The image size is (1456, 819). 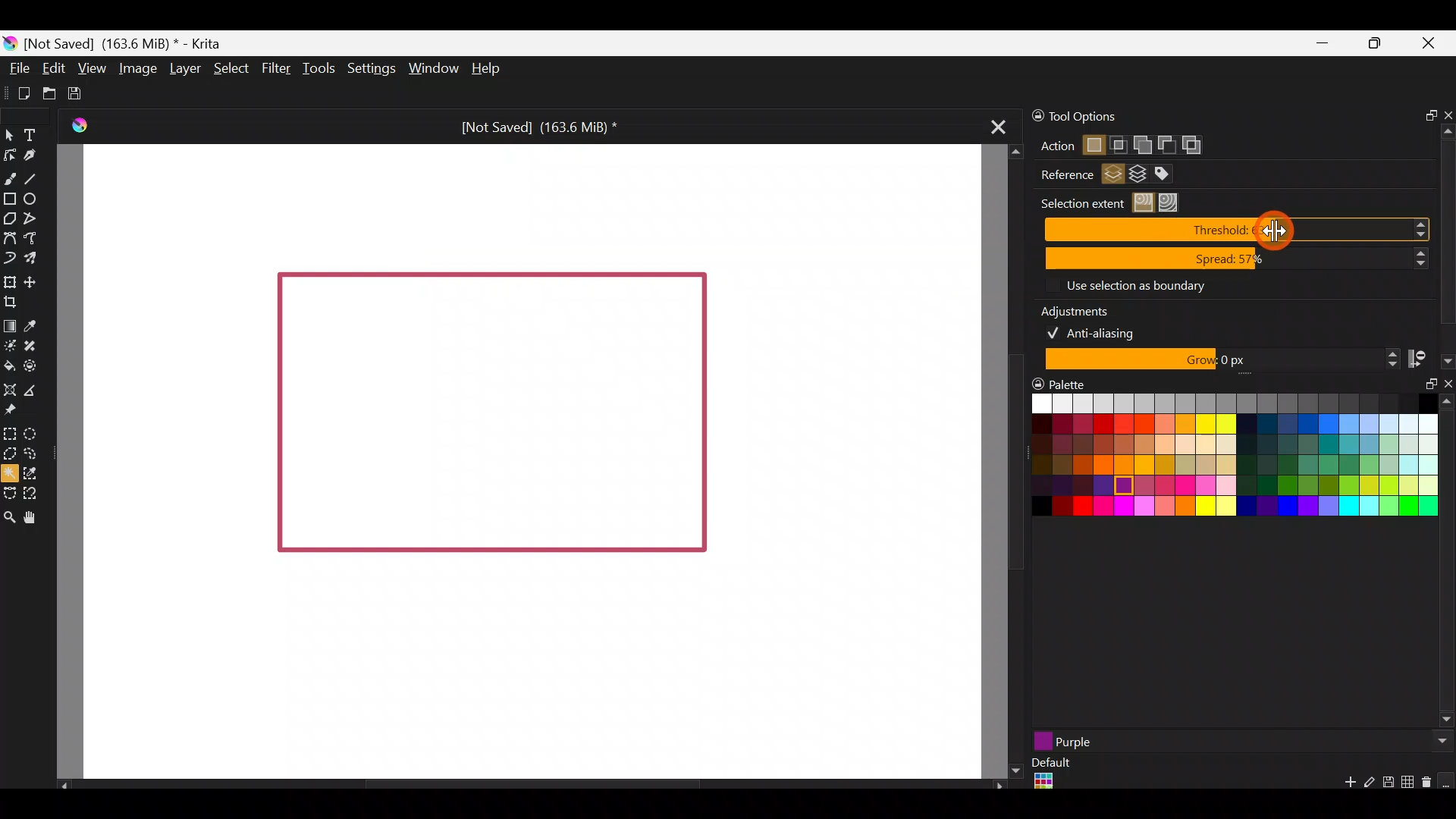 I want to click on Selection extent, so click(x=1080, y=203).